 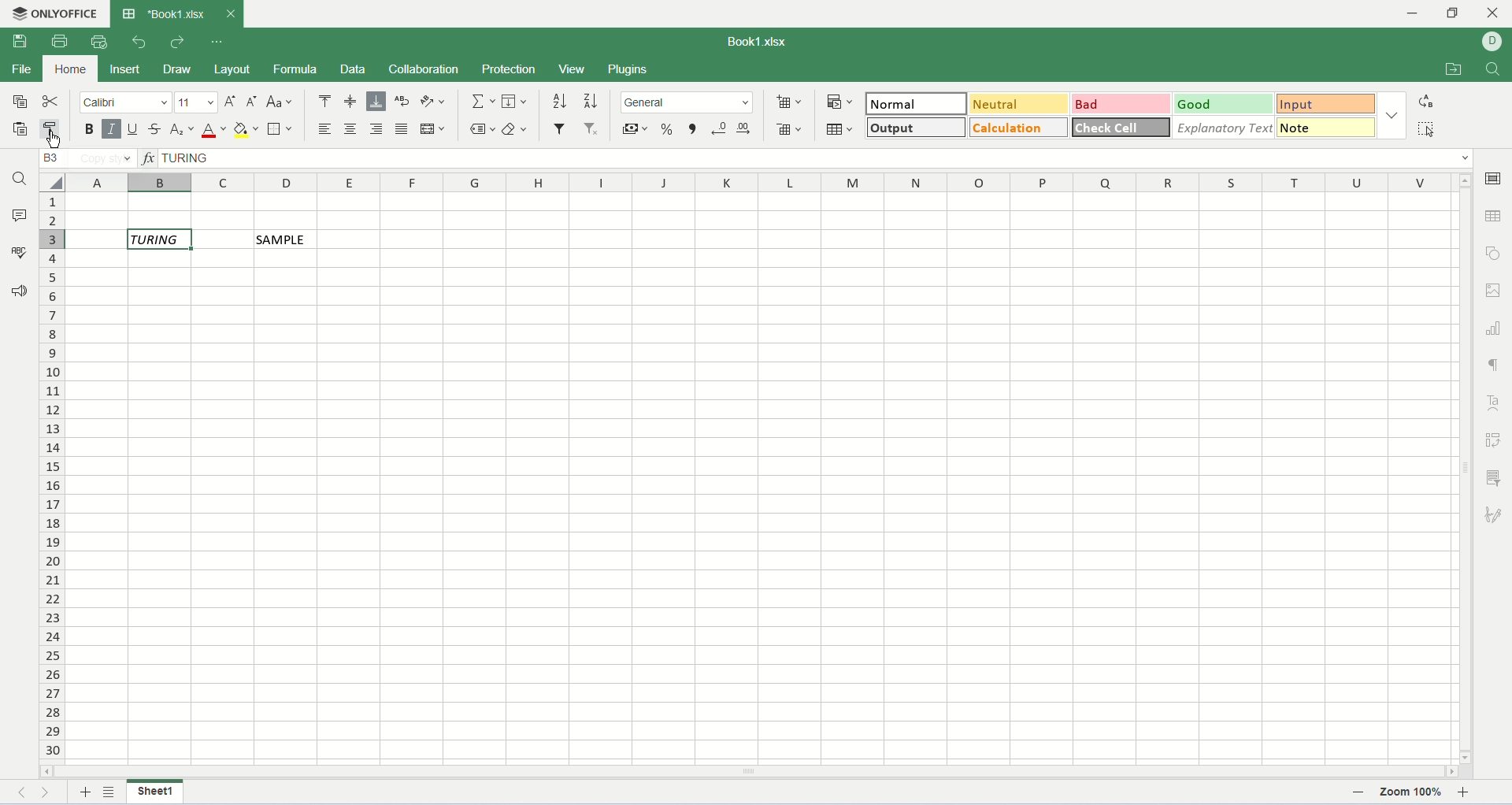 I want to click on bold, so click(x=90, y=130).